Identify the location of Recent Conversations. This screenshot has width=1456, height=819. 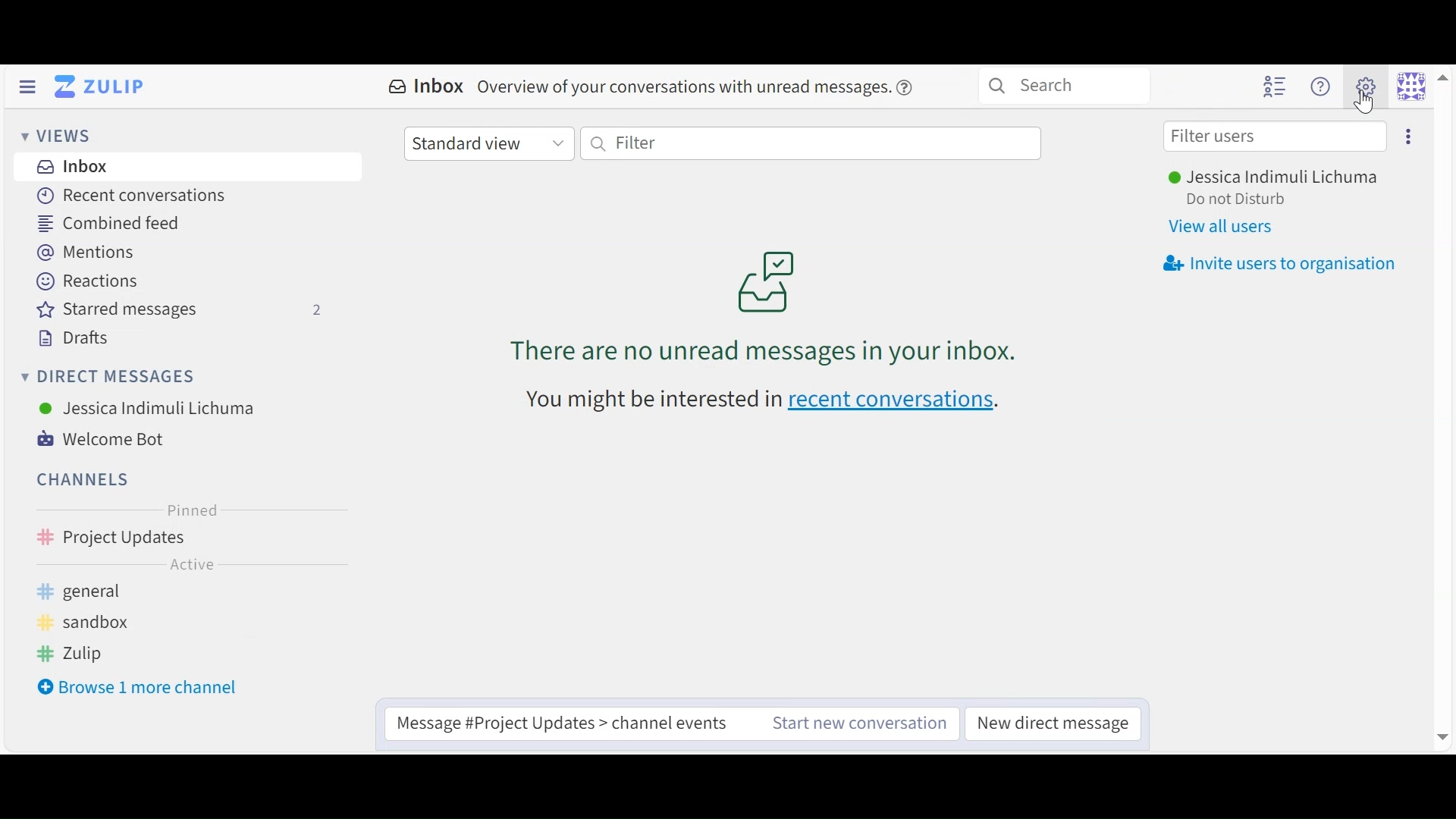
(135, 193).